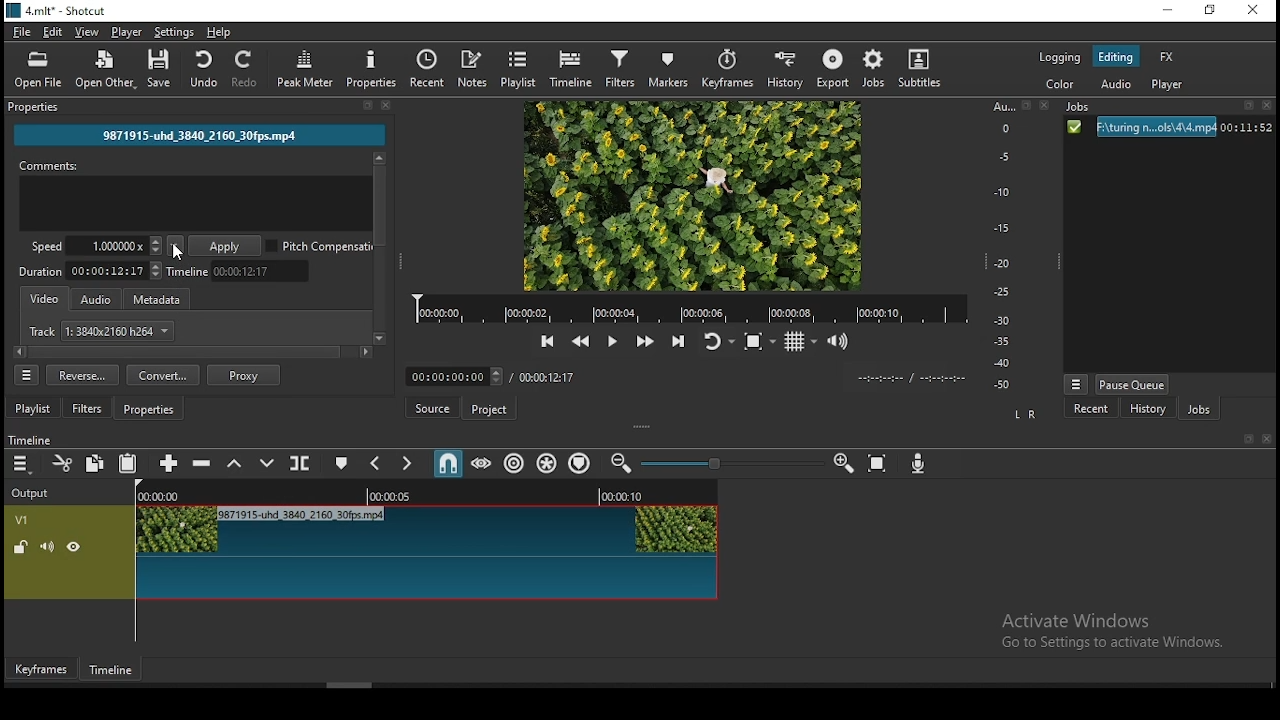  I want to click on toggle zoom, so click(763, 341).